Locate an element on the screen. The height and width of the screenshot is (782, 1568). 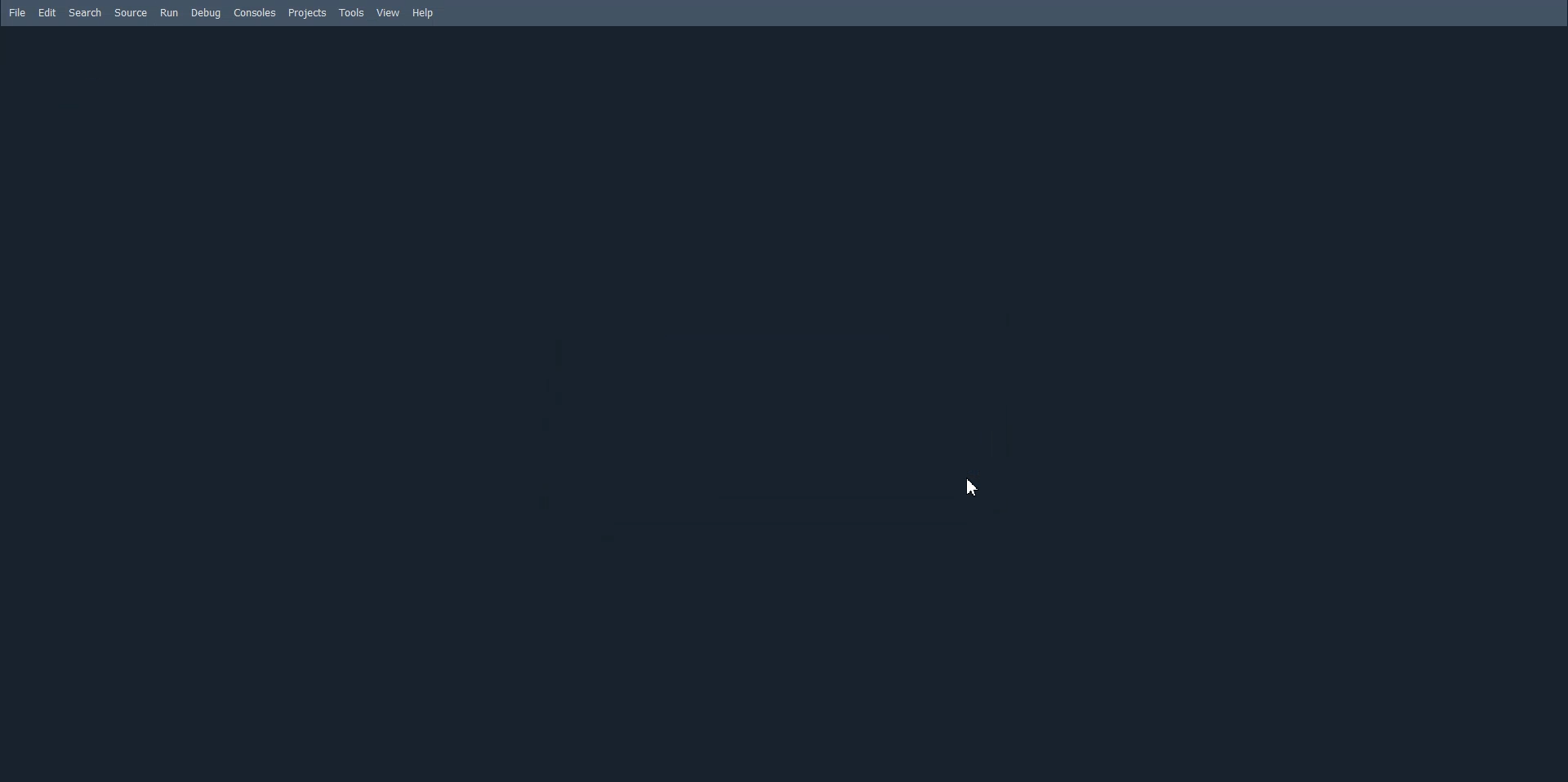
Cursor is located at coordinates (975, 486).